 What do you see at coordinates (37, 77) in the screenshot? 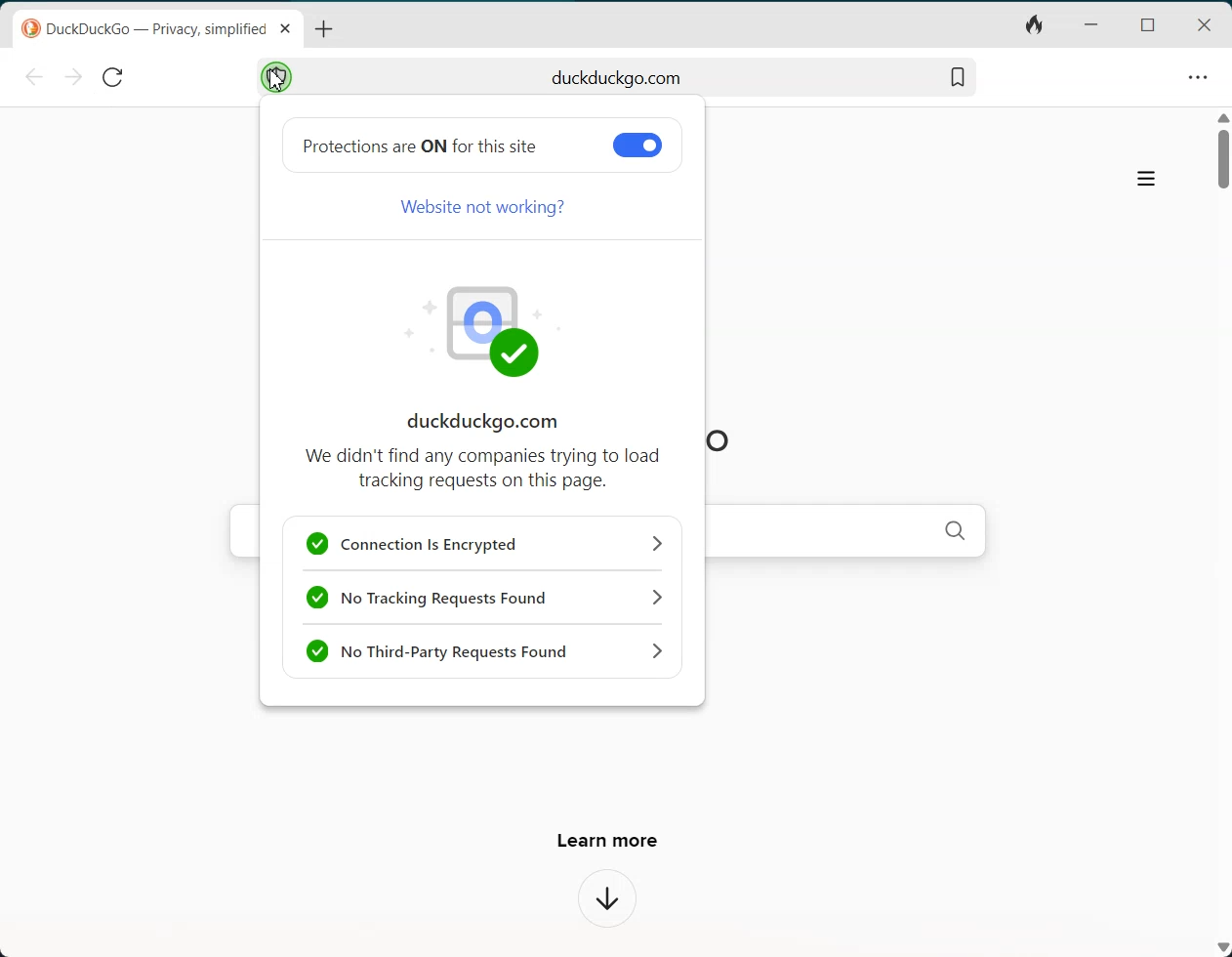
I see `Back` at bounding box center [37, 77].